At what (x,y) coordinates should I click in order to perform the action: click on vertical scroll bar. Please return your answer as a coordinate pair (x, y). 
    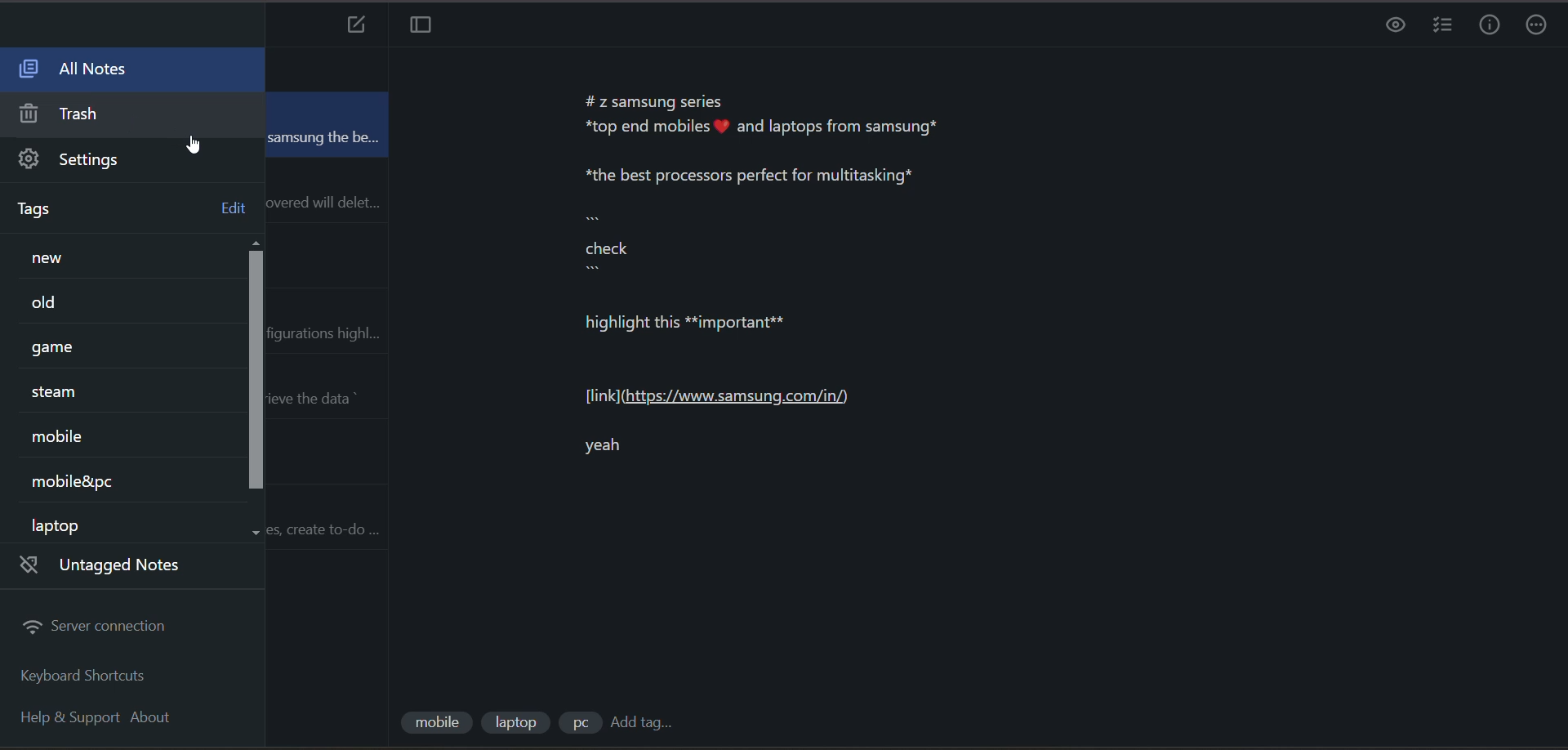
    Looking at the image, I should click on (254, 371).